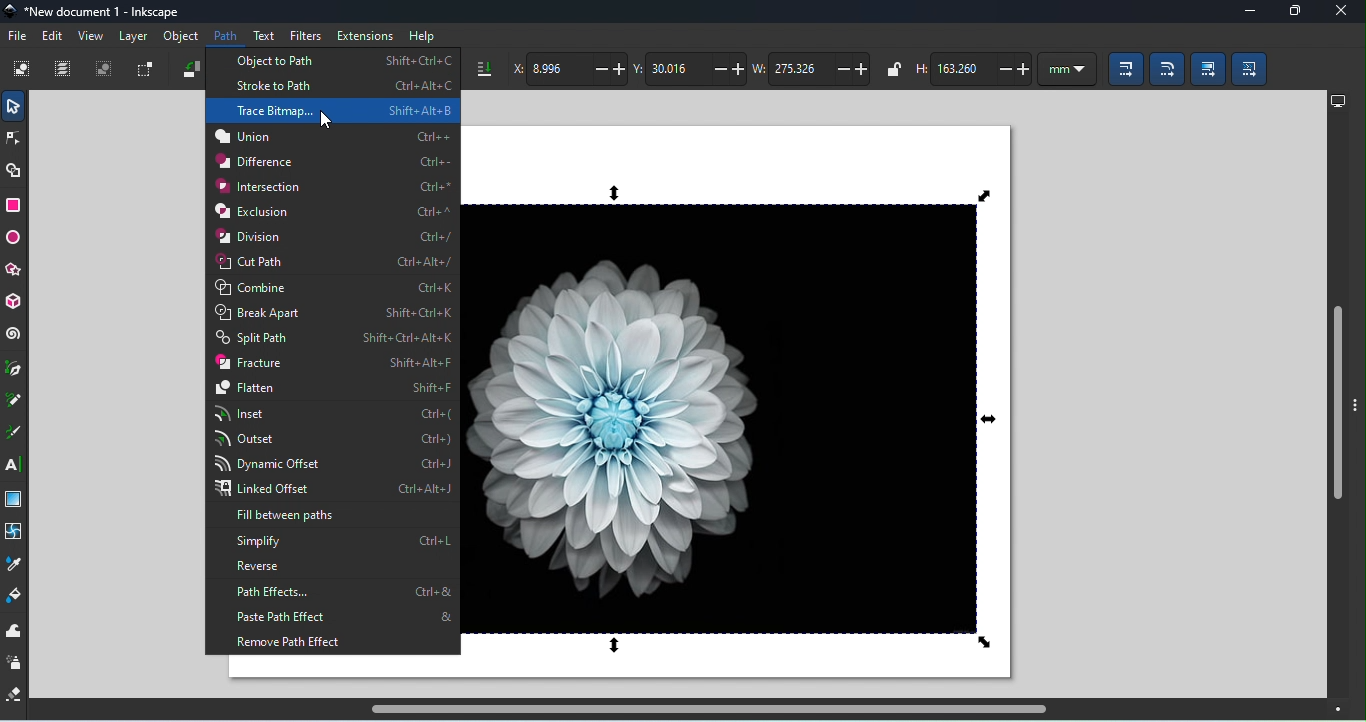 The image size is (1366, 722). Describe the element at coordinates (334, 212) in the screenshot. I see `Exclusion` at that location.